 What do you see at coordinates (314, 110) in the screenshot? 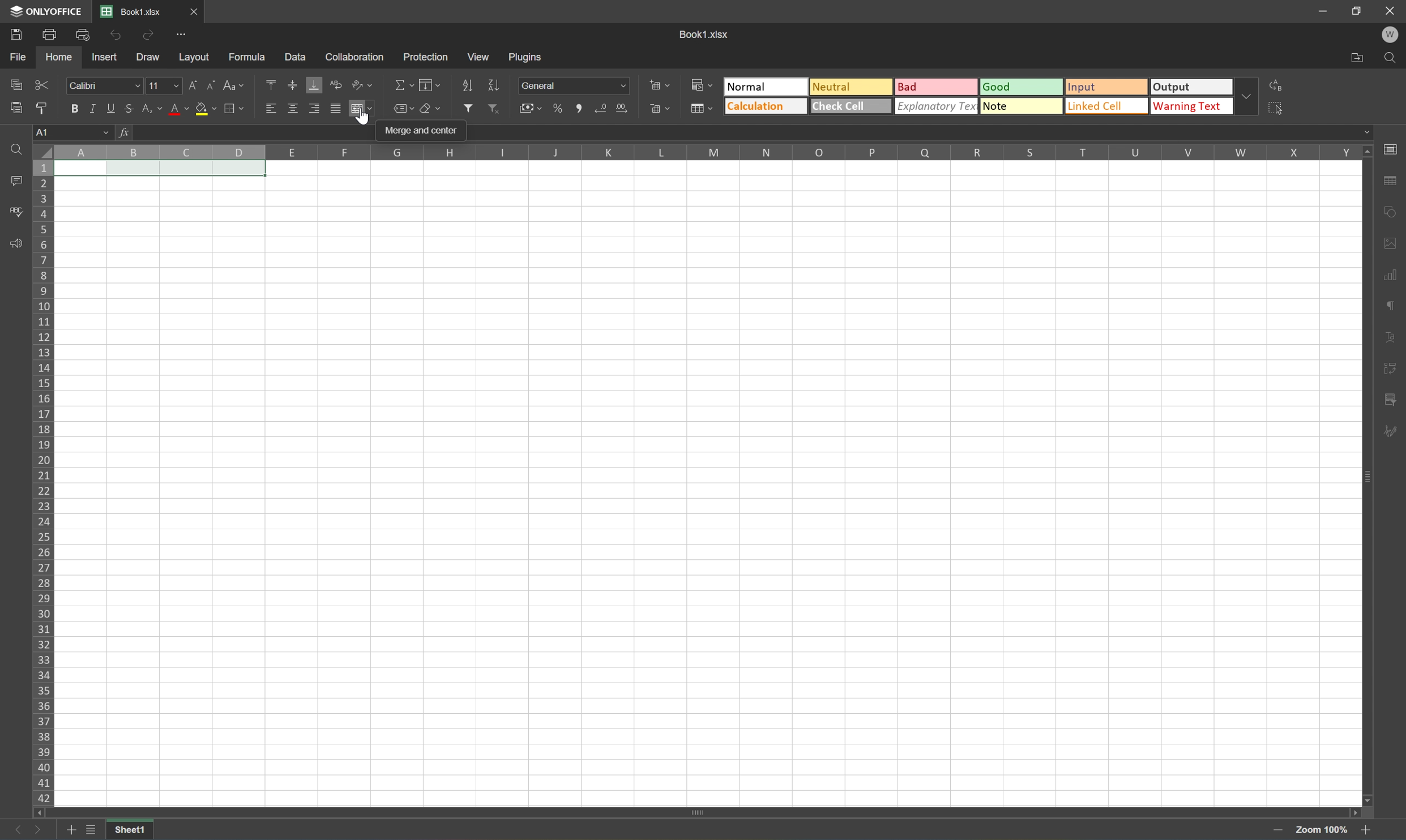
I see `Align right` at bounding box center [314, 110].